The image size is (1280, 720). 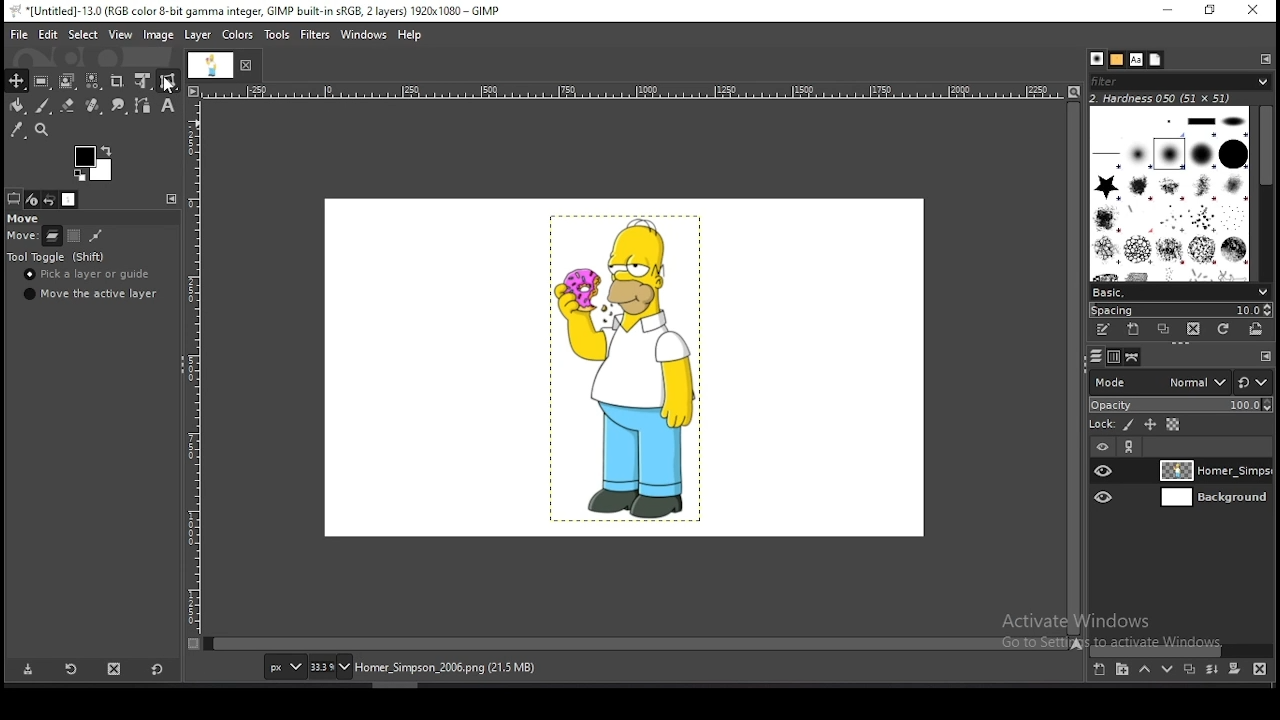 I want to click on tool options, so click(x=14, y=199).